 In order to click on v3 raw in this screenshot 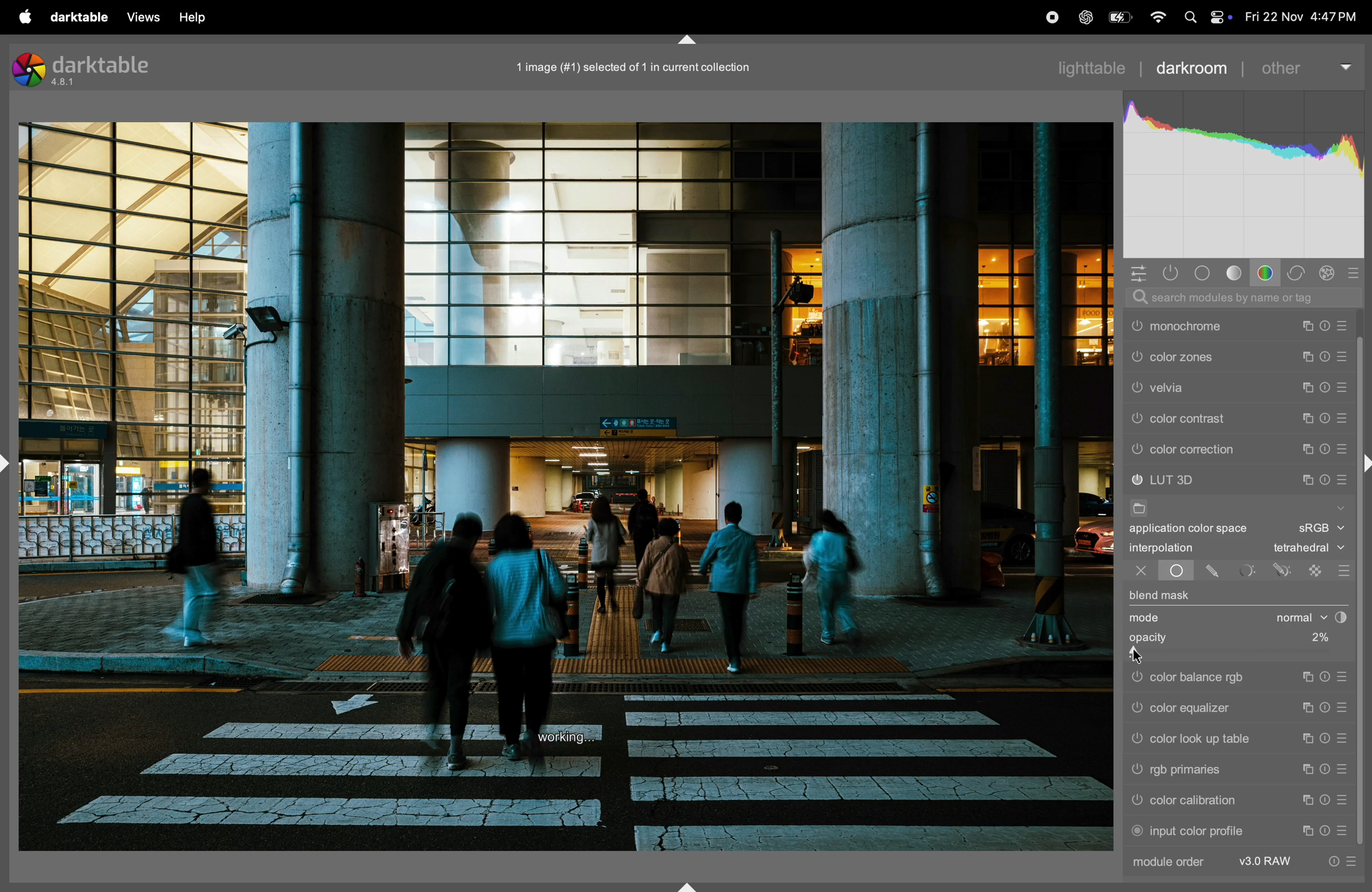, I will do `click(1268, 862)`.